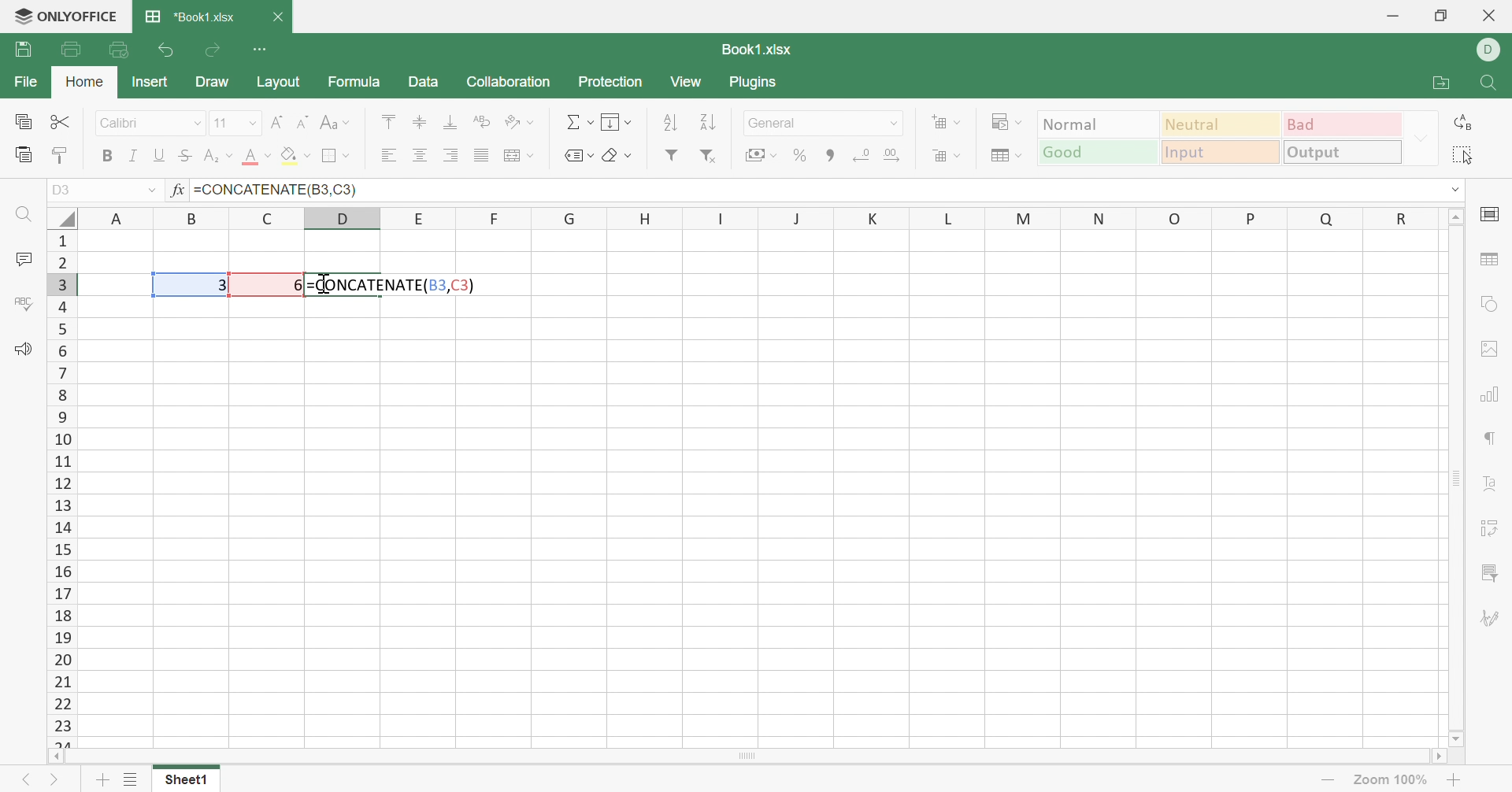 The width and height of the screenshot is (1512, 792). Describe the element at coordinates (294, 285) in the screenshot. I see `6` at that location.